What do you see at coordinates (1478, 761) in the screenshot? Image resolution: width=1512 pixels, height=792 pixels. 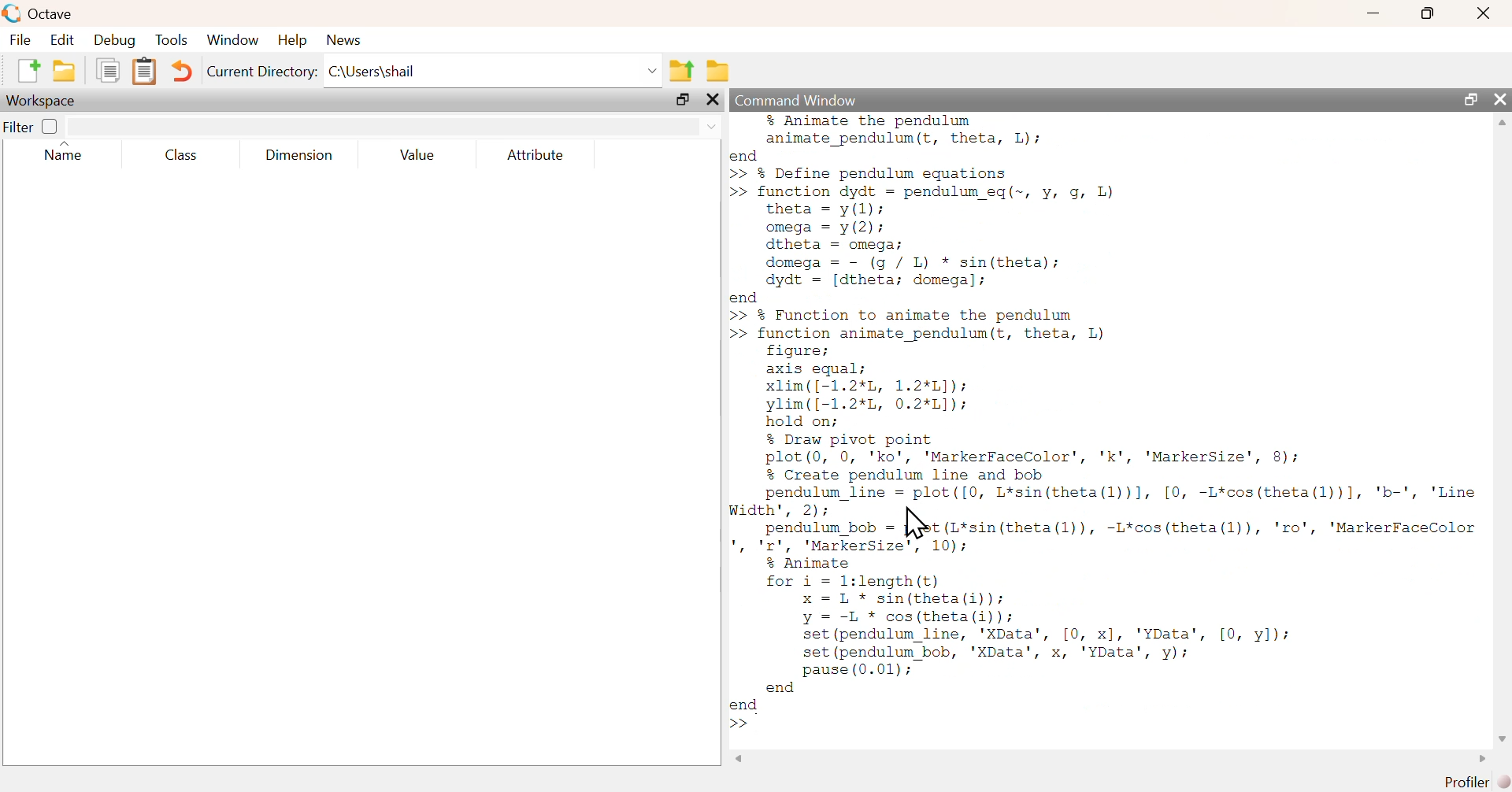 I see `Scroll right` at bounding box center [1478, 761].